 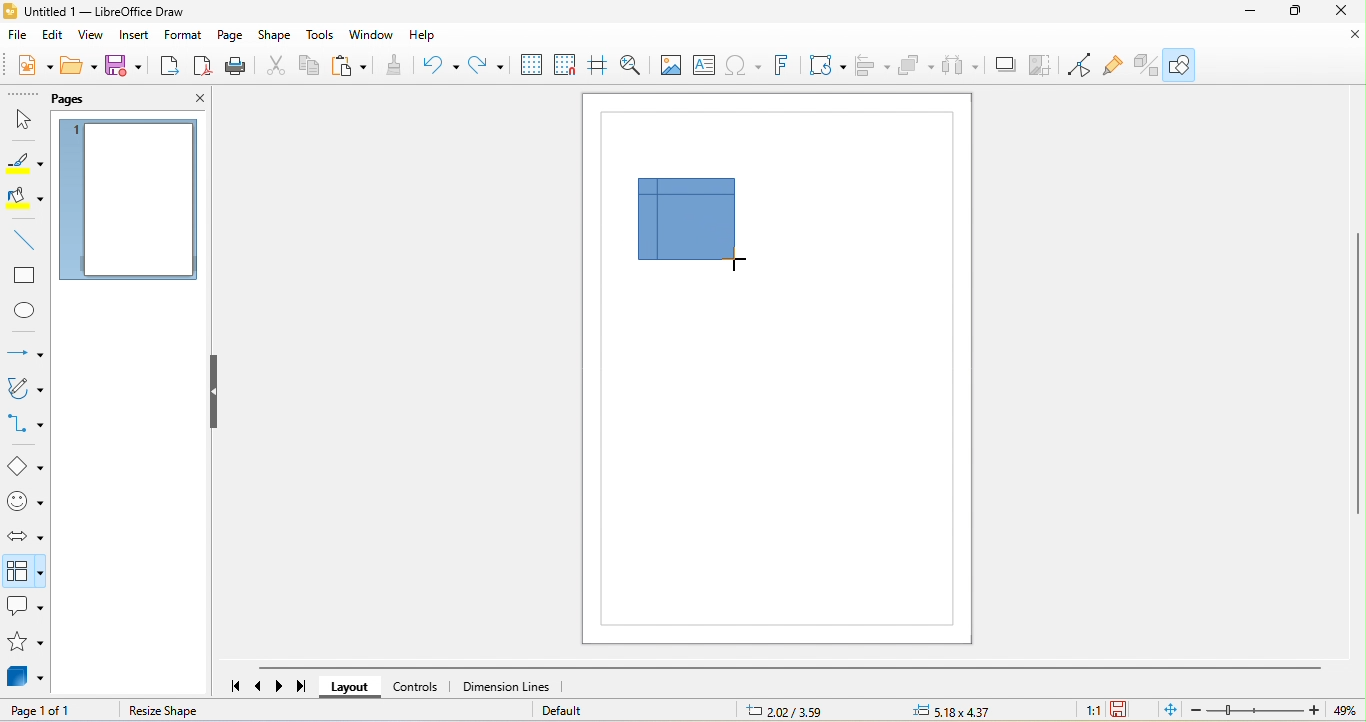 I want to click on text box, so click(x=704, y=65).